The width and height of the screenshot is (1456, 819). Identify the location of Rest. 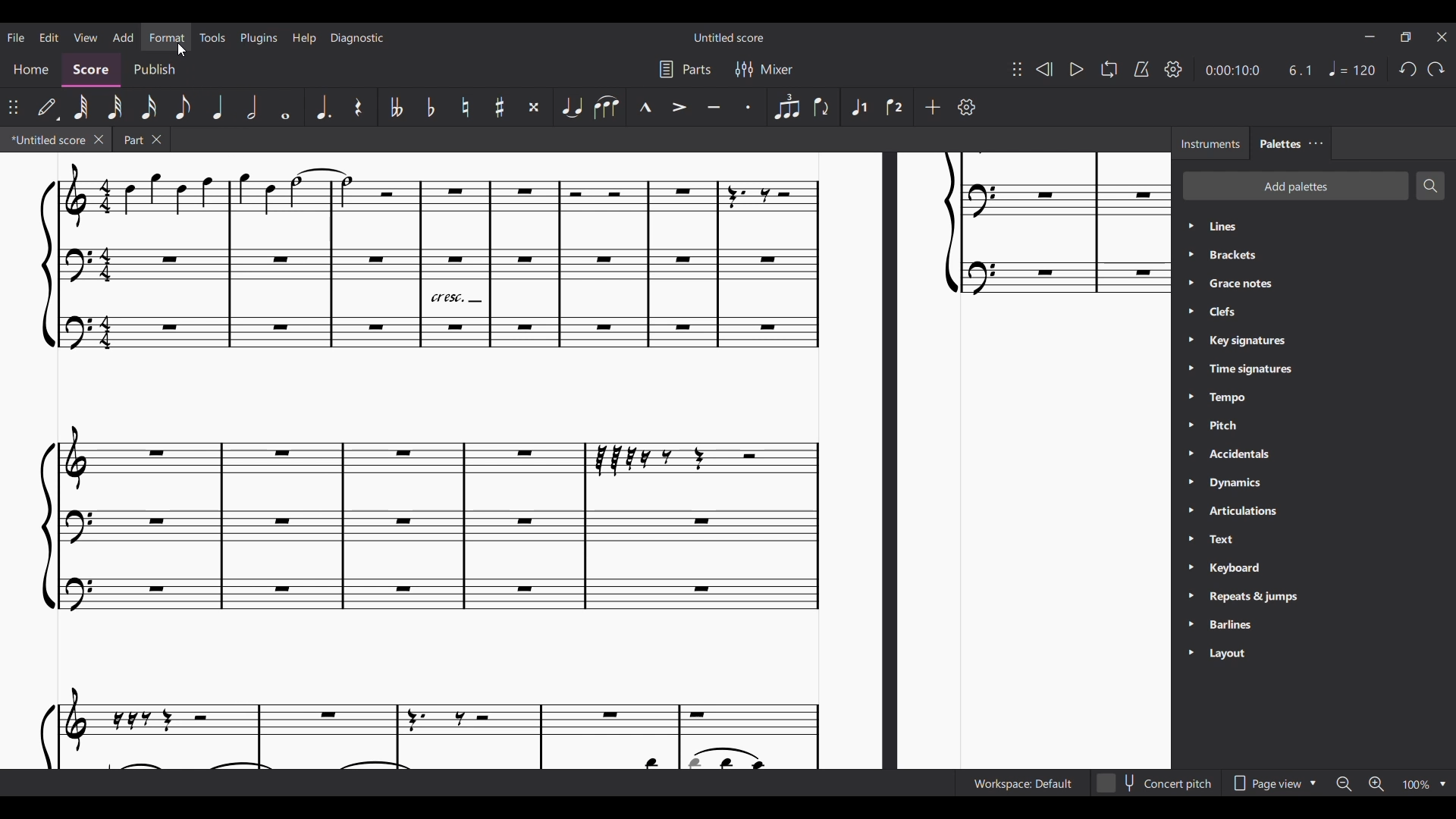
(359, 107).